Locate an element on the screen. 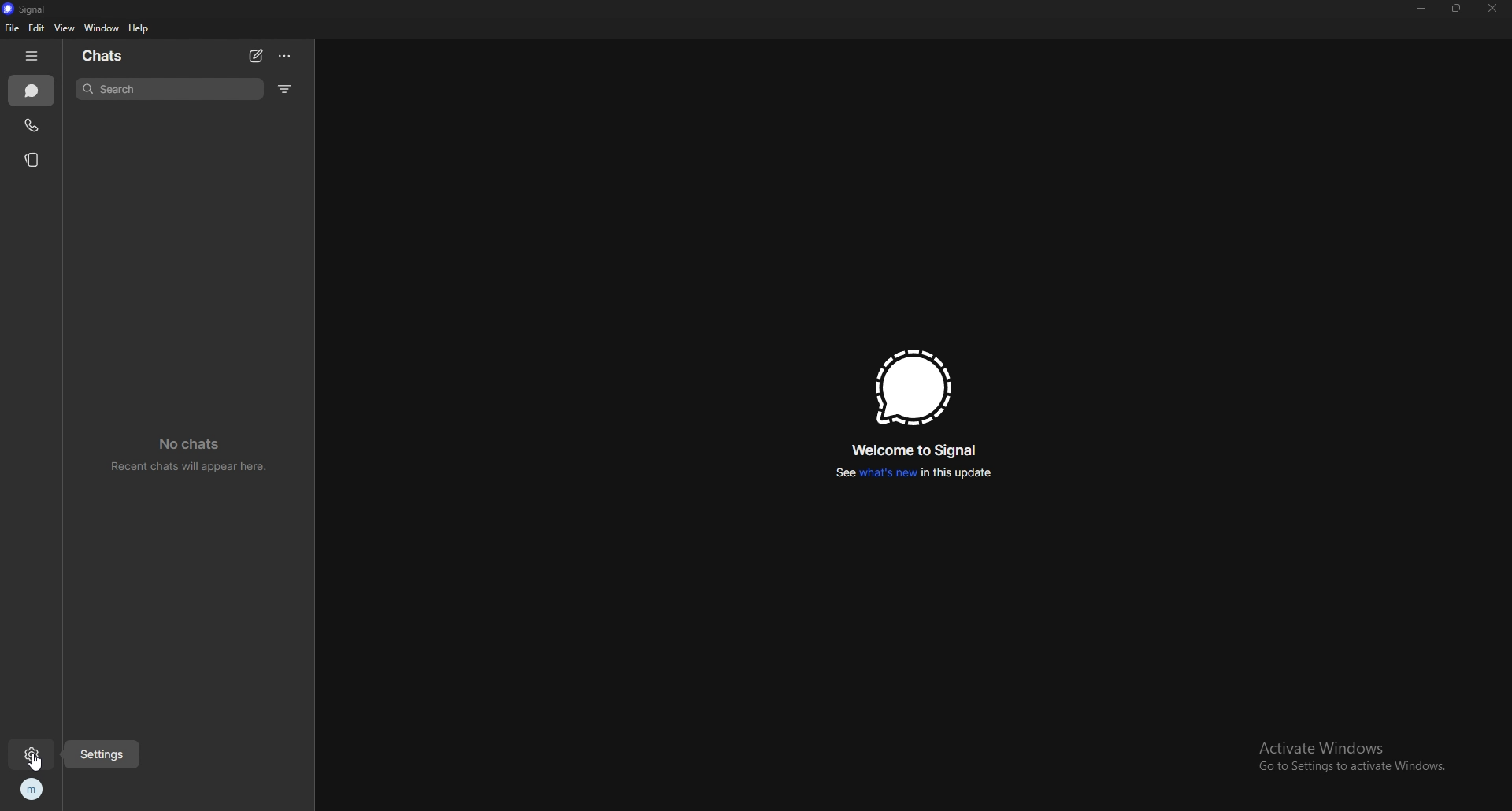 This screenshot has width=1512, height=811. window is located at coordinates (102, 28).